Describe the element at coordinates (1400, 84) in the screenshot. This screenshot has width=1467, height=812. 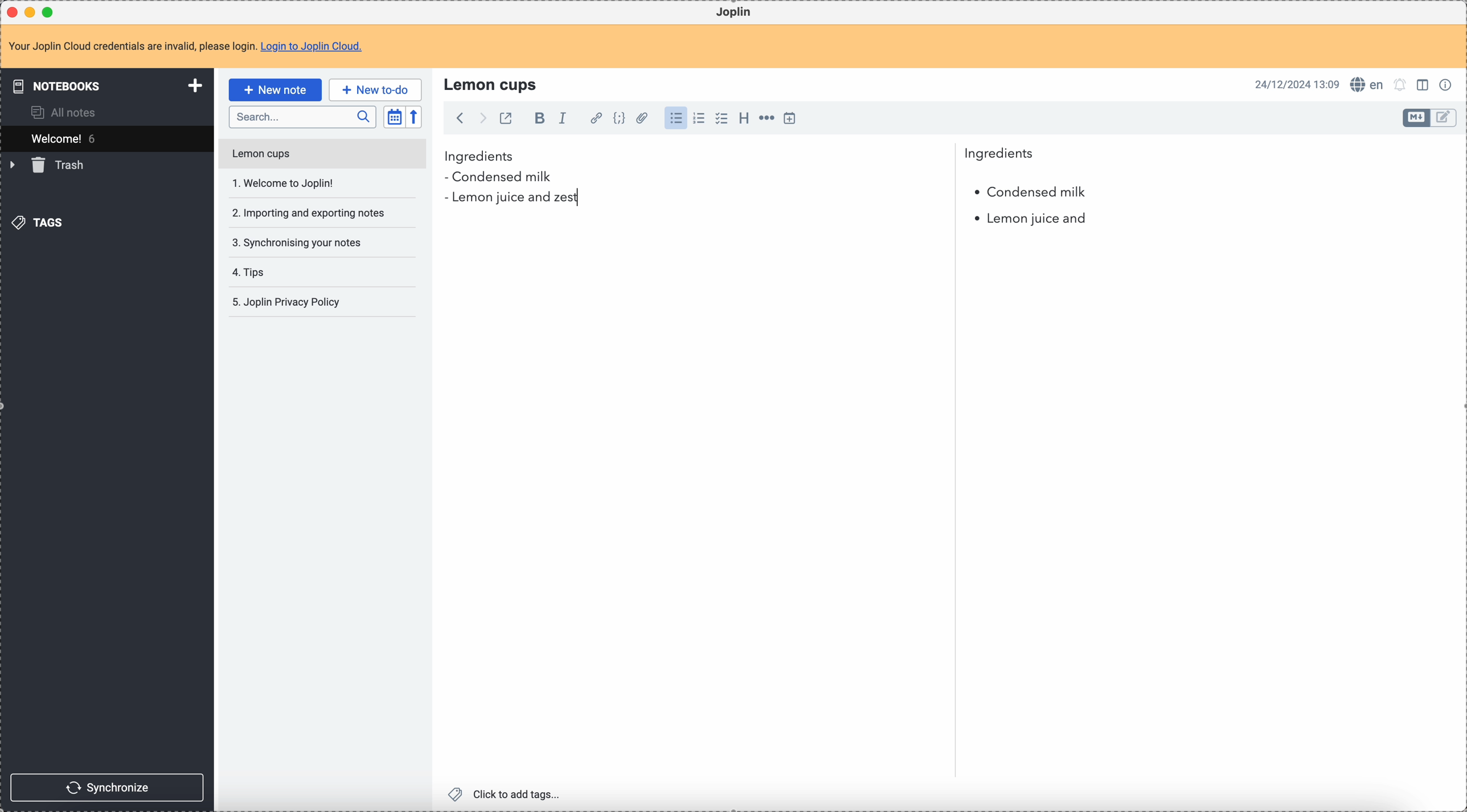
I see `set notifications` at that location.